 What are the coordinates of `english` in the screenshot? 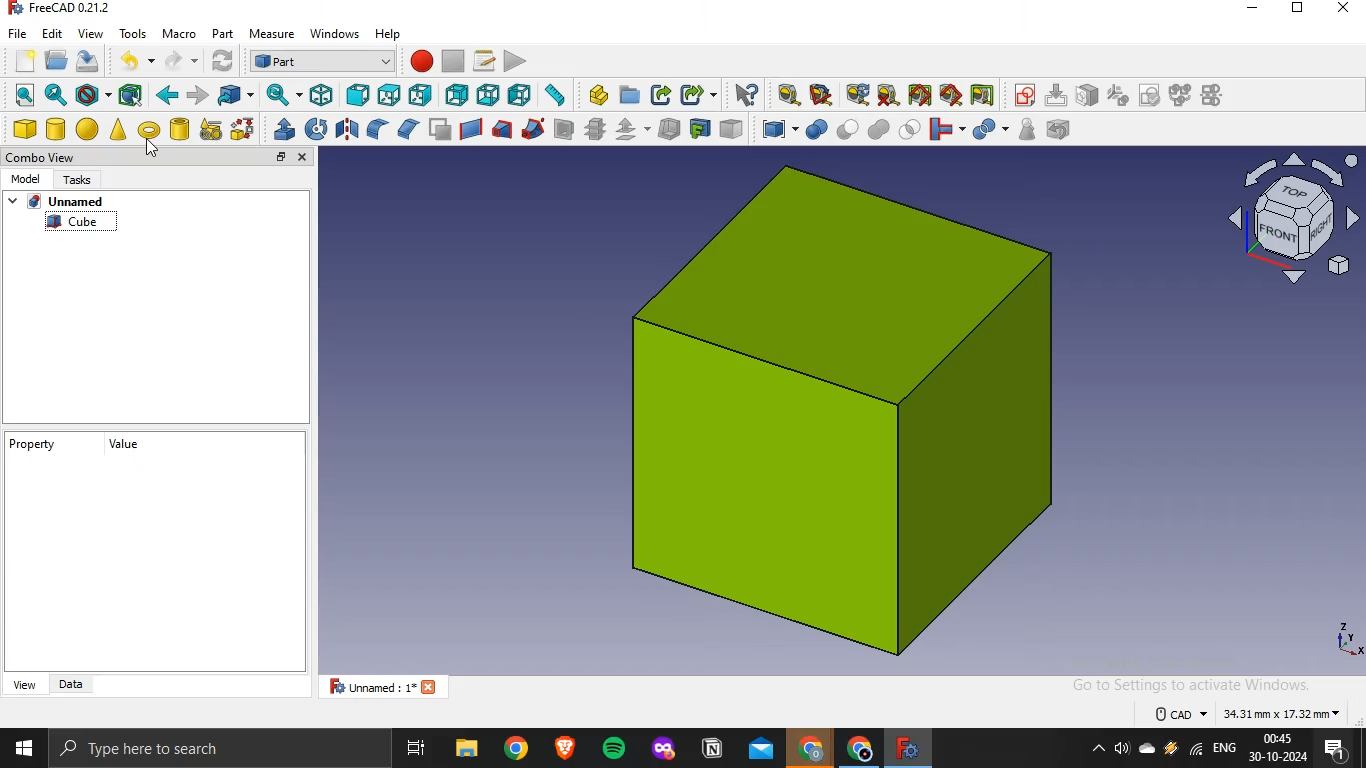 It's located at (1227, 751).